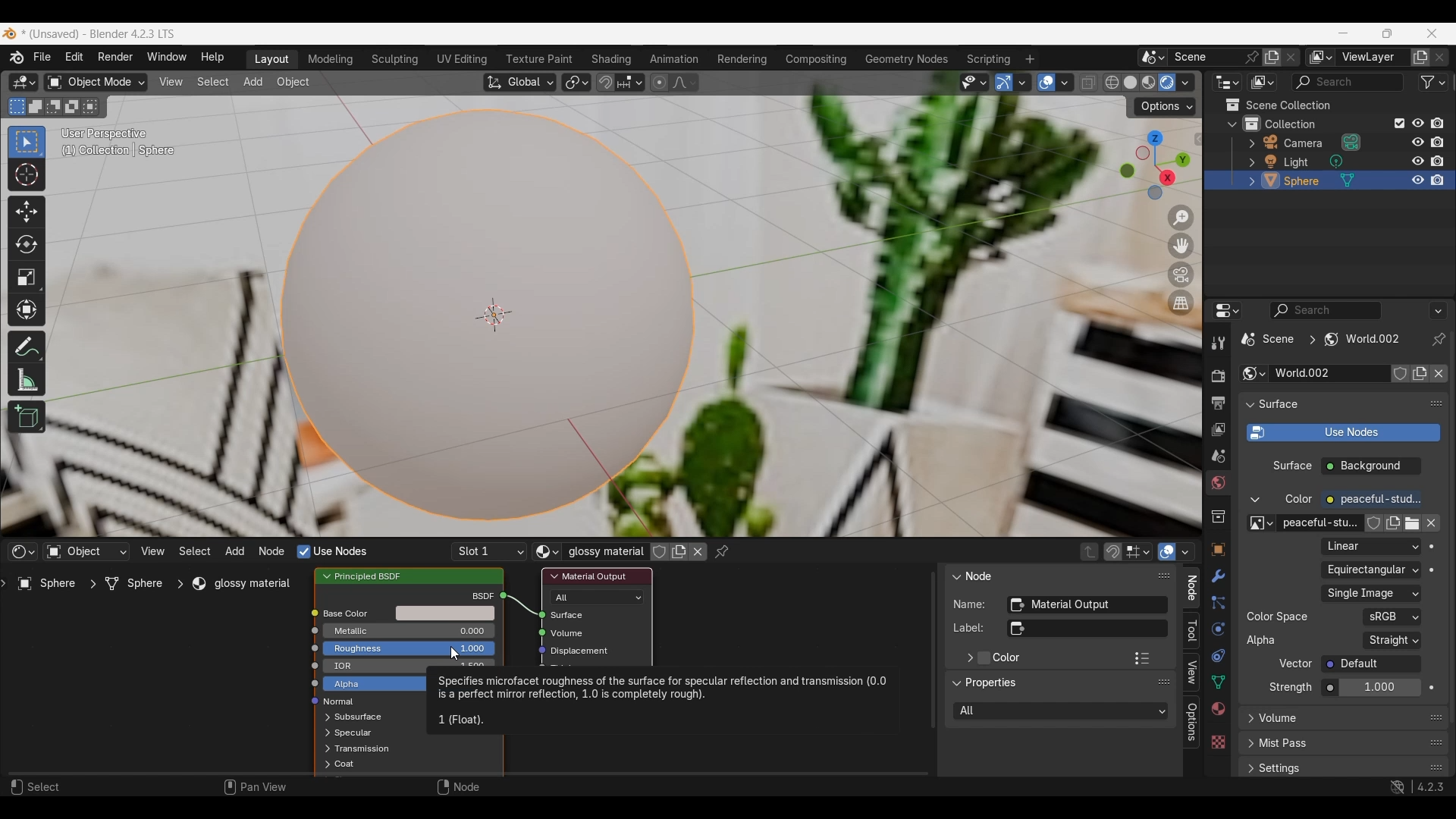 The width and height of the screenshot is (1456, 819). What do you see at coordinates (353, 733) in the screenshot?
I see `Spectacular options` at bounding box center [353, 733].